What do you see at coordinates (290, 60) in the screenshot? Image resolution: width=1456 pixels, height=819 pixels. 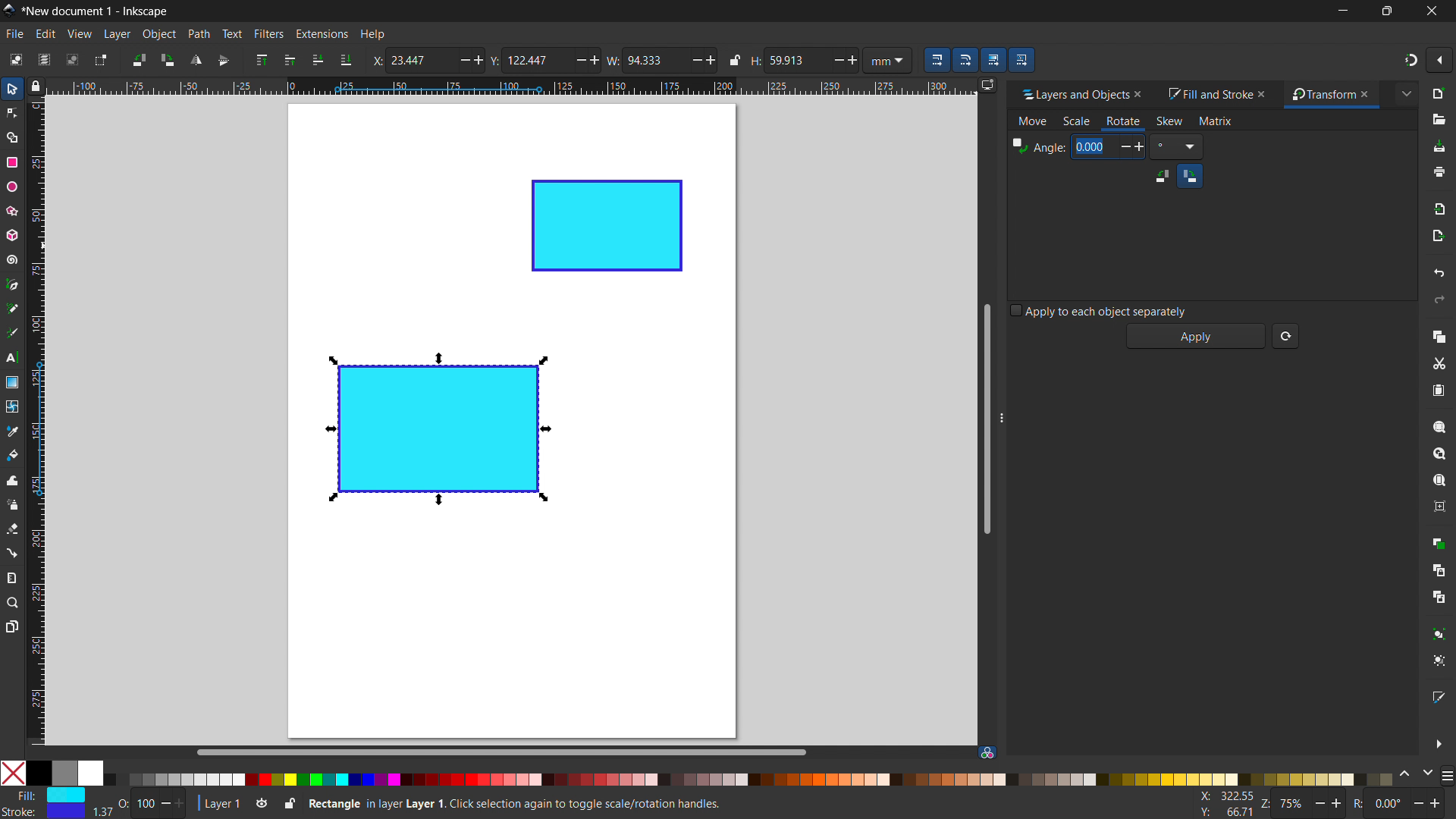 I see `raise` at bounding box center [290, 60].